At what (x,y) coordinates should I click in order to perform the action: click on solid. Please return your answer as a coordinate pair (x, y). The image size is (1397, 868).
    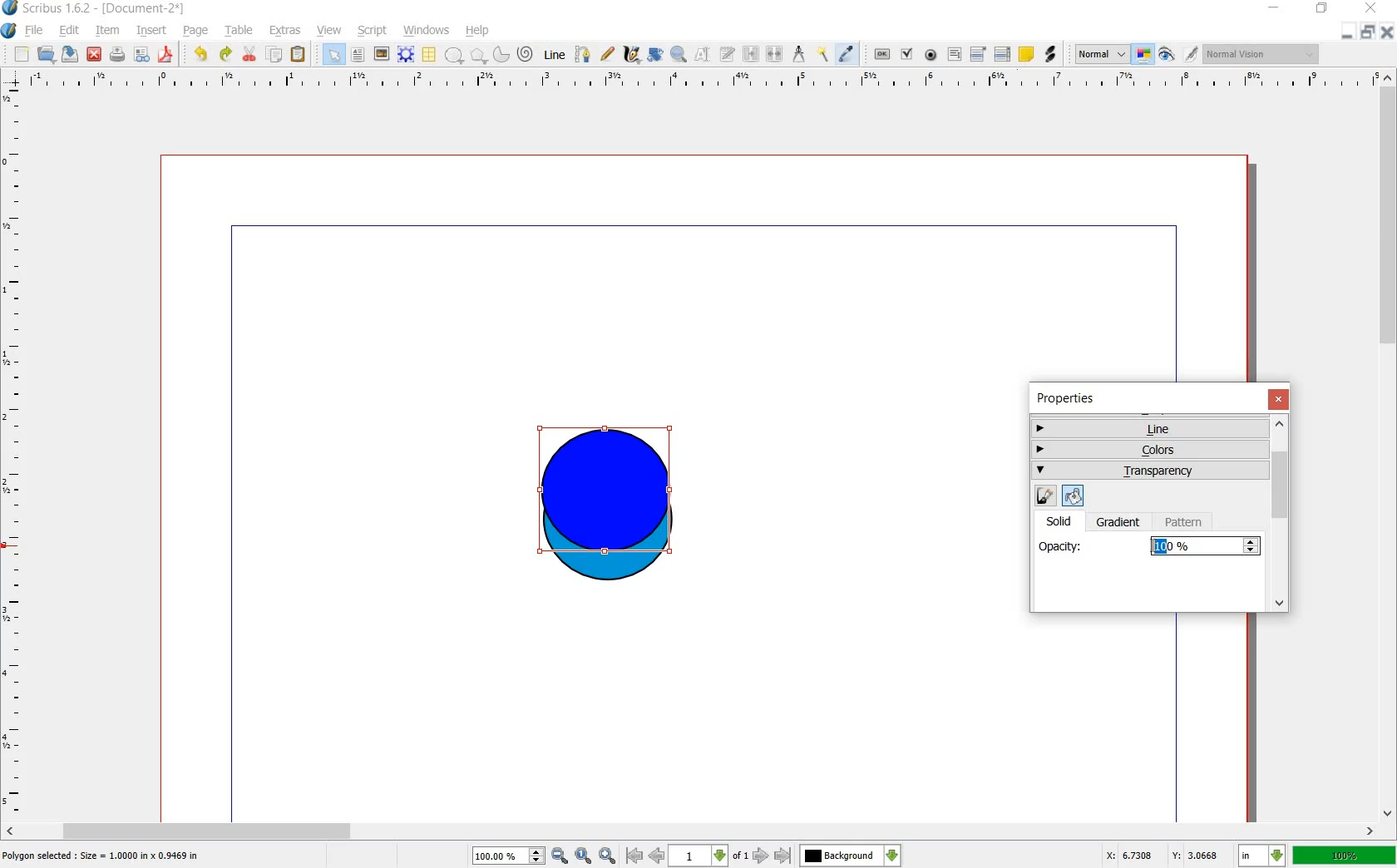
    Looking at the image, I should click on (1065, 520).